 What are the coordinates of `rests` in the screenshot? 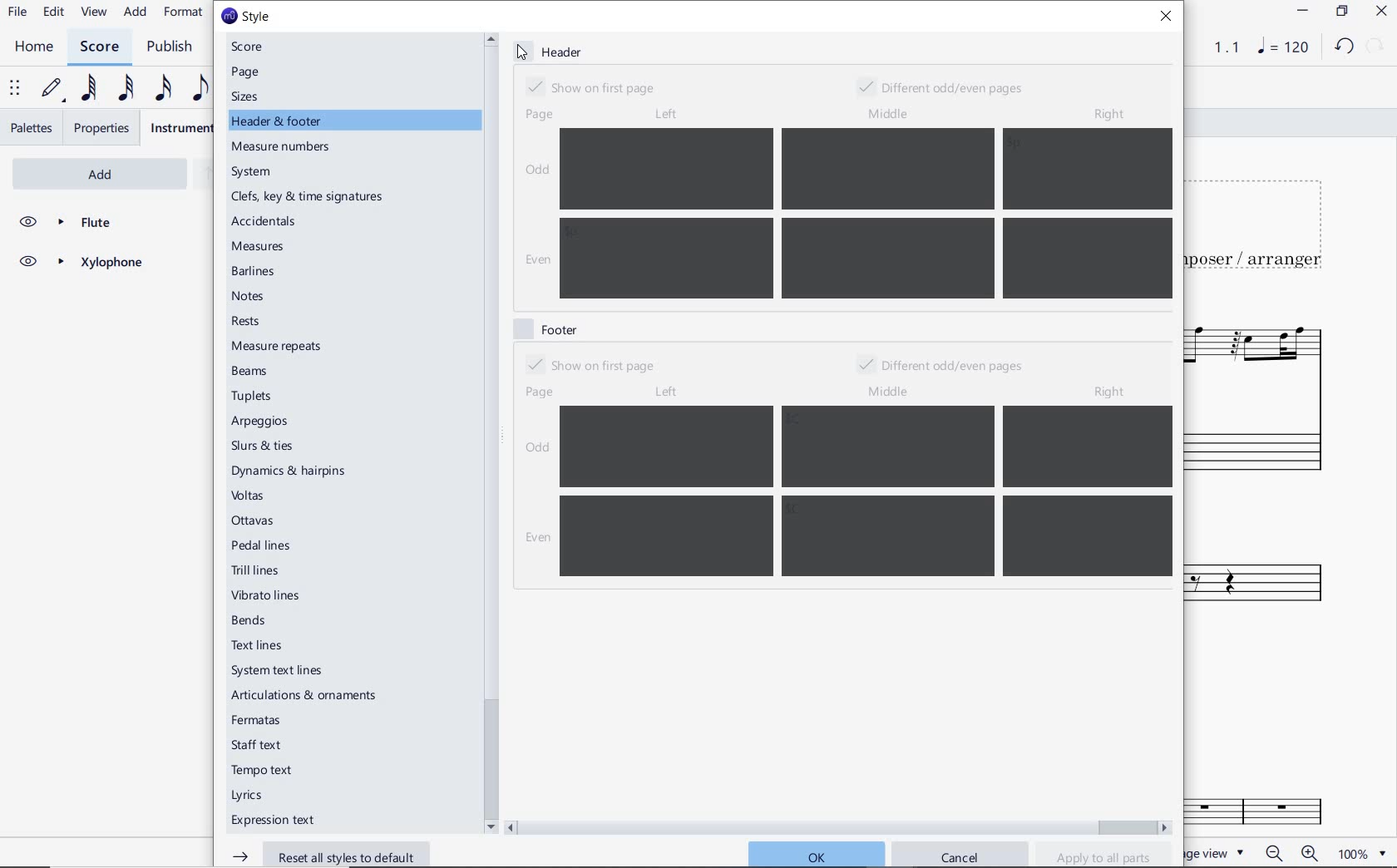 It's located at (261, 322).